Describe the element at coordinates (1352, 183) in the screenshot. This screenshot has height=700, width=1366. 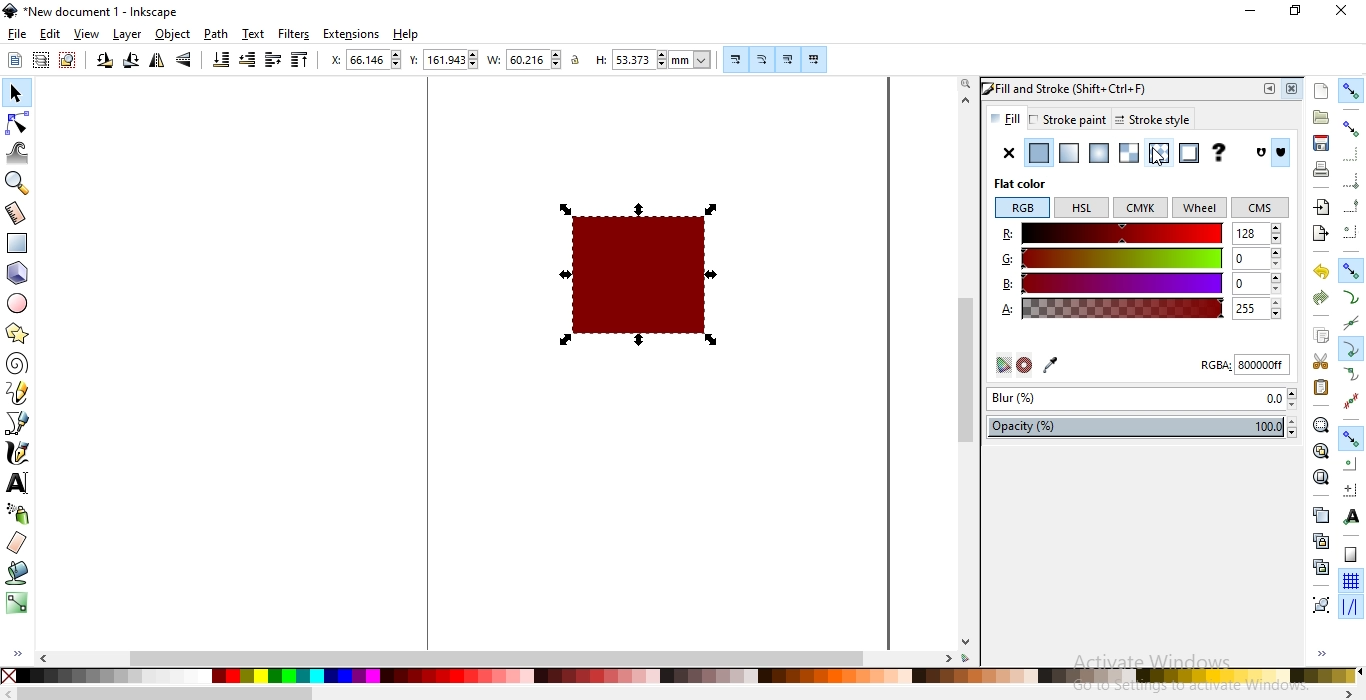
I see `snap bounding box corners` at that location.